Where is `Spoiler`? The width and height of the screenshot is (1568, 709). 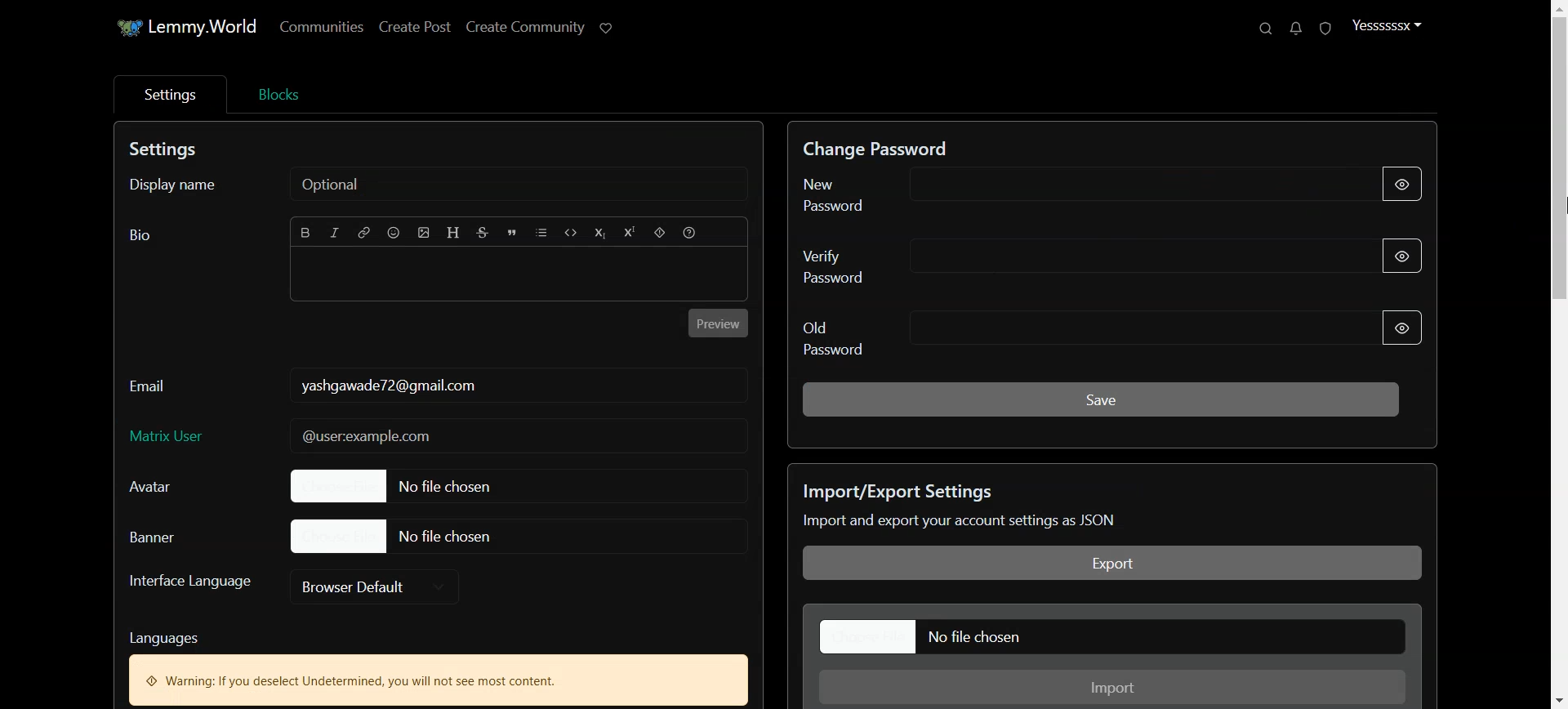 Spoiler is located at coordinates (659, 233).